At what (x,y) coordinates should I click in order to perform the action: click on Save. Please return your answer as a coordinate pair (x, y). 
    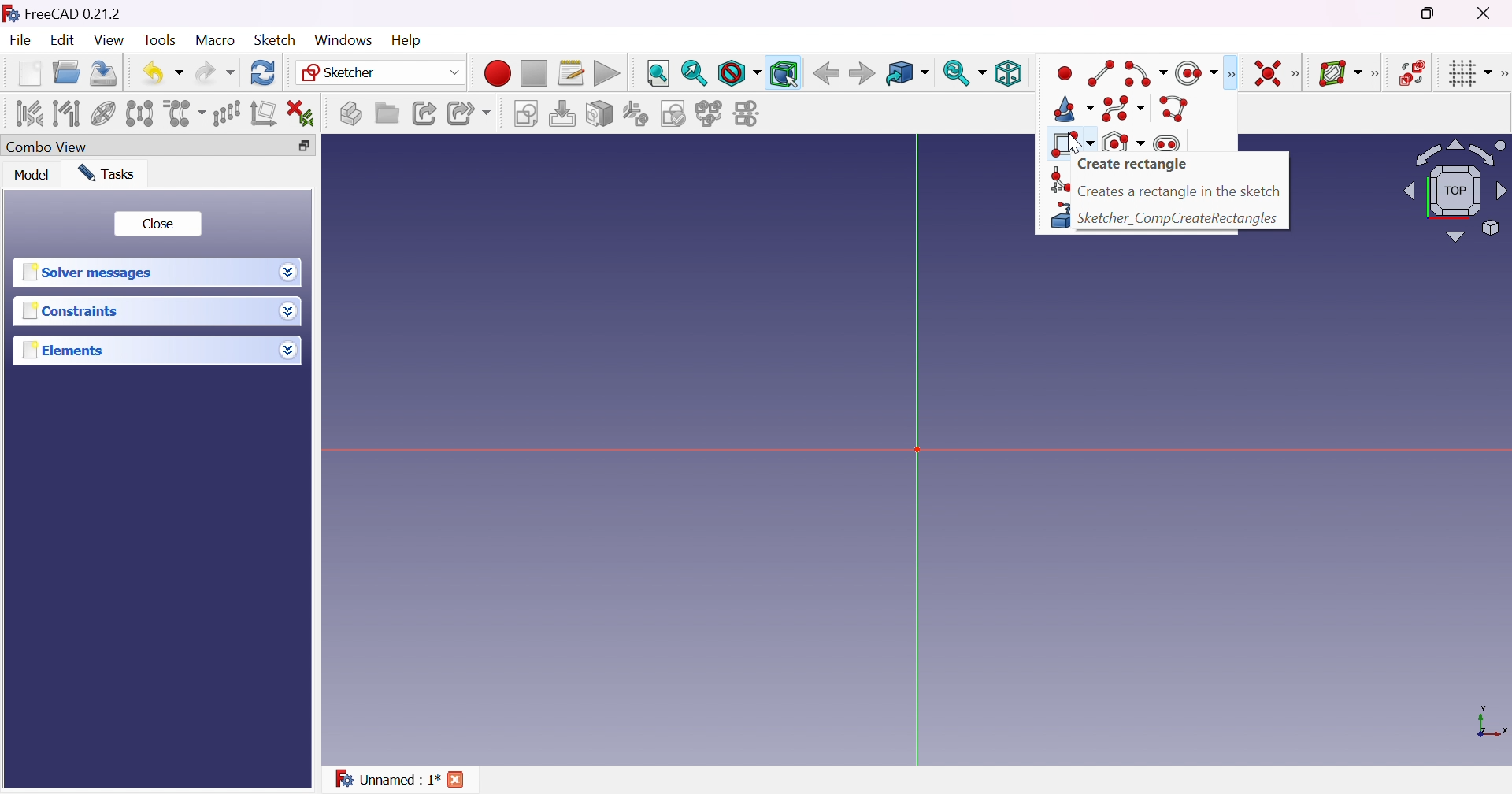
    Looking at the image, I should click on (105, 74).